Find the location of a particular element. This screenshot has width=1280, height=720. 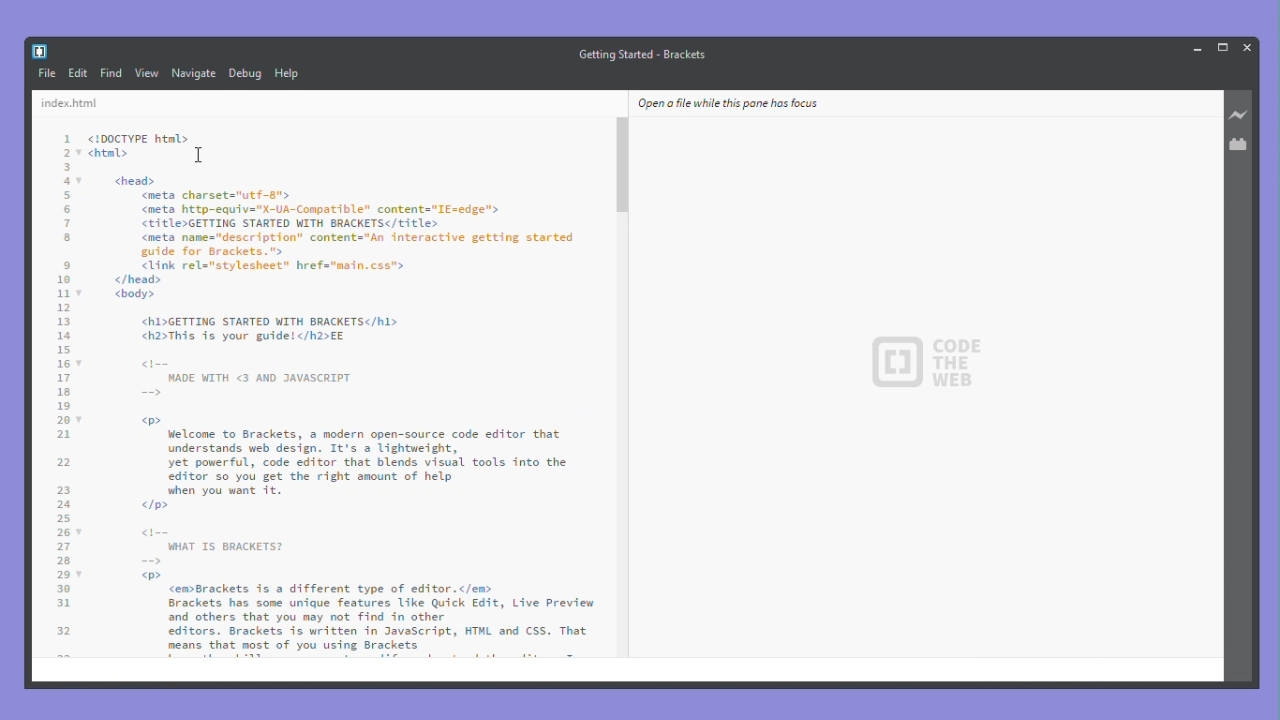

Live preview is located at coordinates (1241, 116).